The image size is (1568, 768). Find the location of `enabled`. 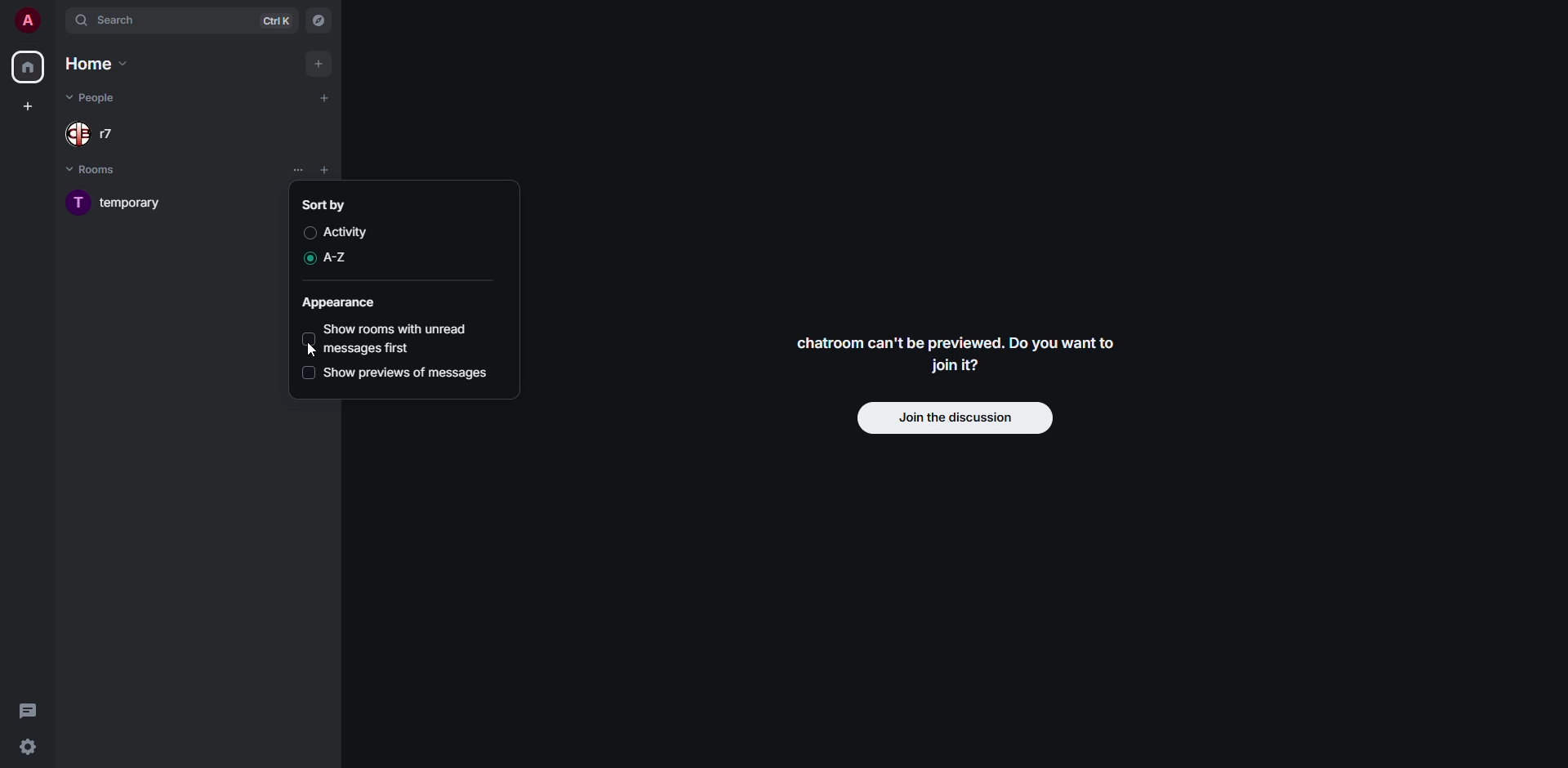

enabled is located at coordinates (305, 259).